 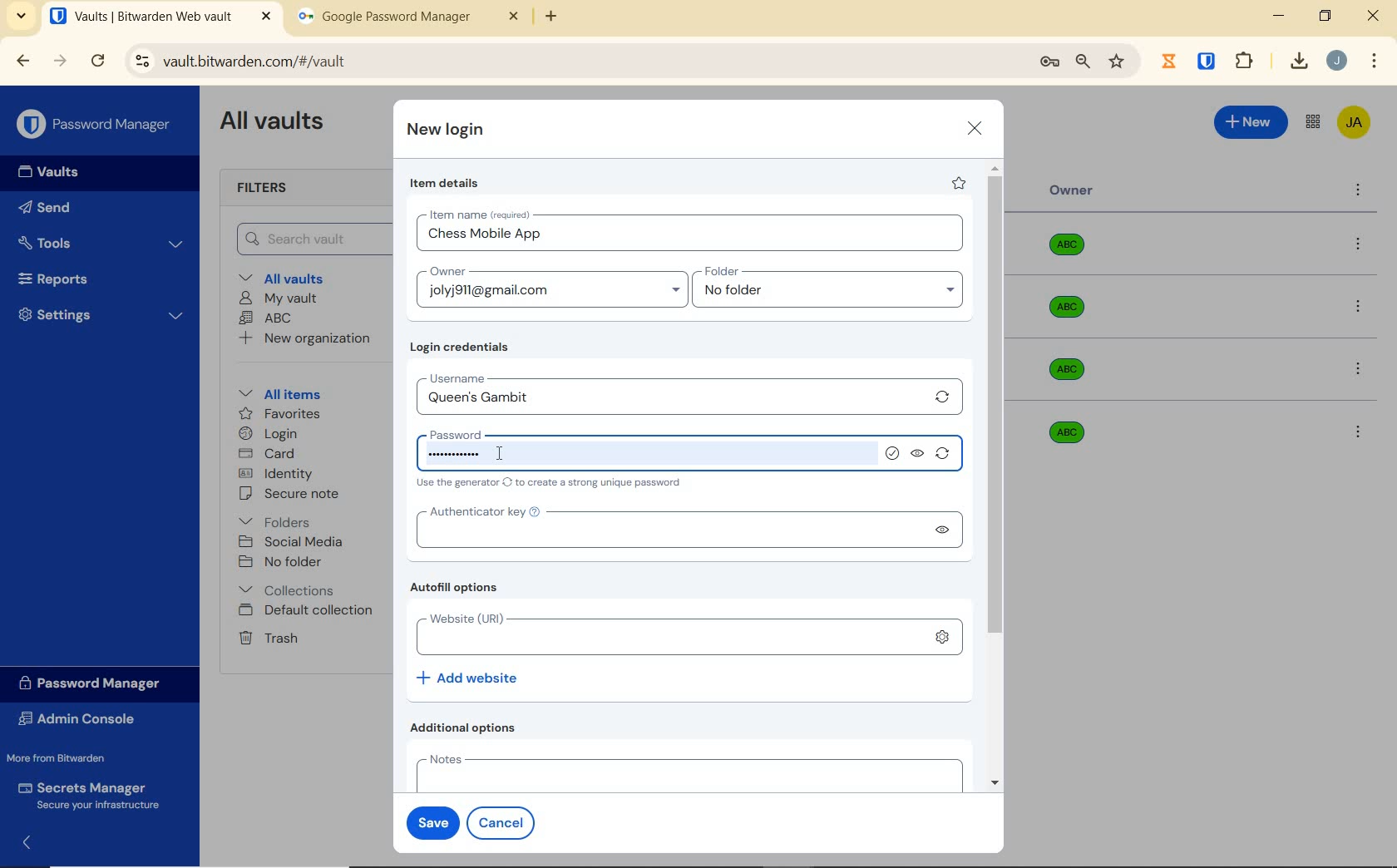 What do you see at coordinates (476, 432) in the screenshot?
I see `password` at bounding box center [476, 432].